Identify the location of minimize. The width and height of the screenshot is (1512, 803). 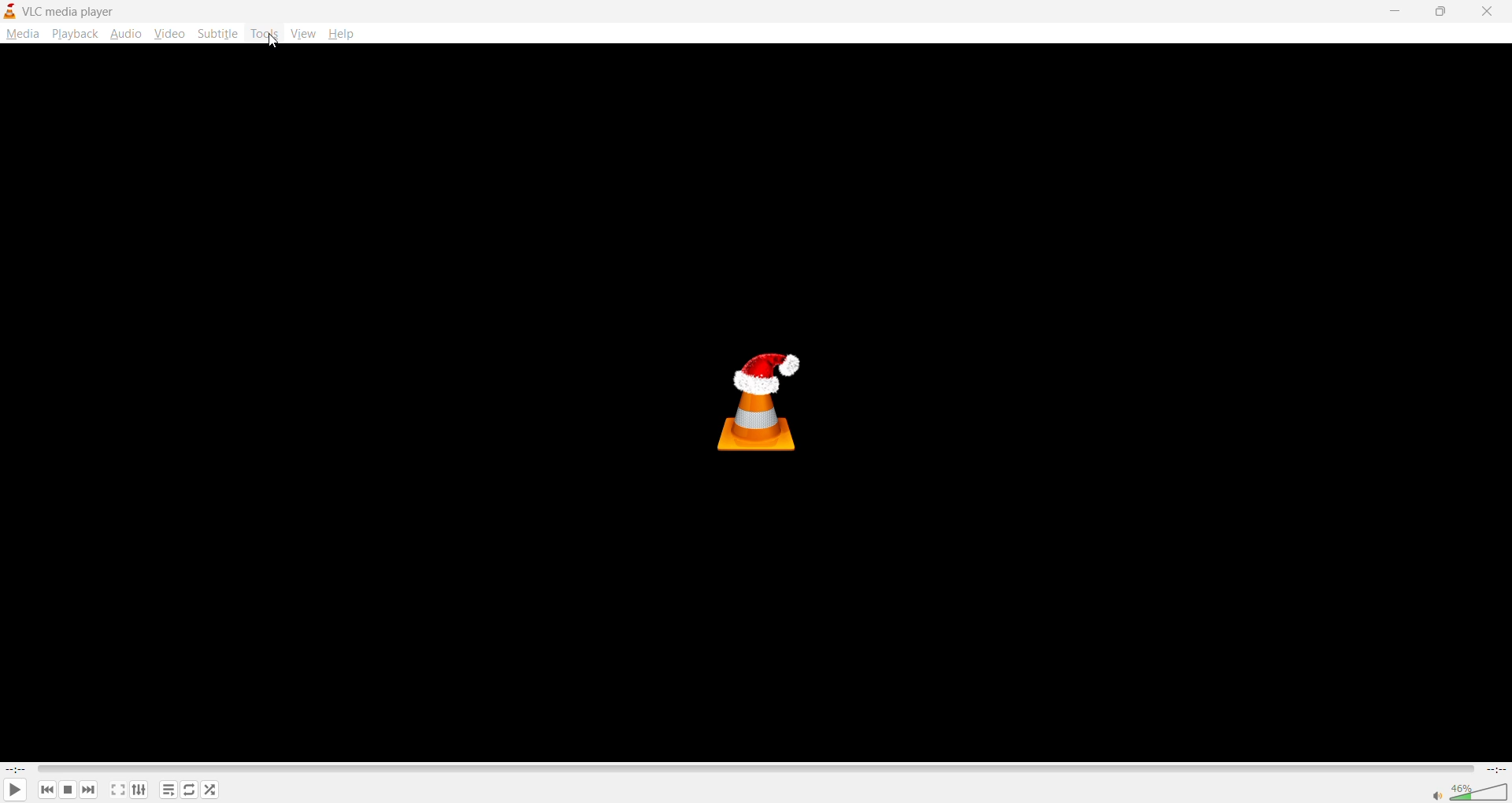
(1397, 10).